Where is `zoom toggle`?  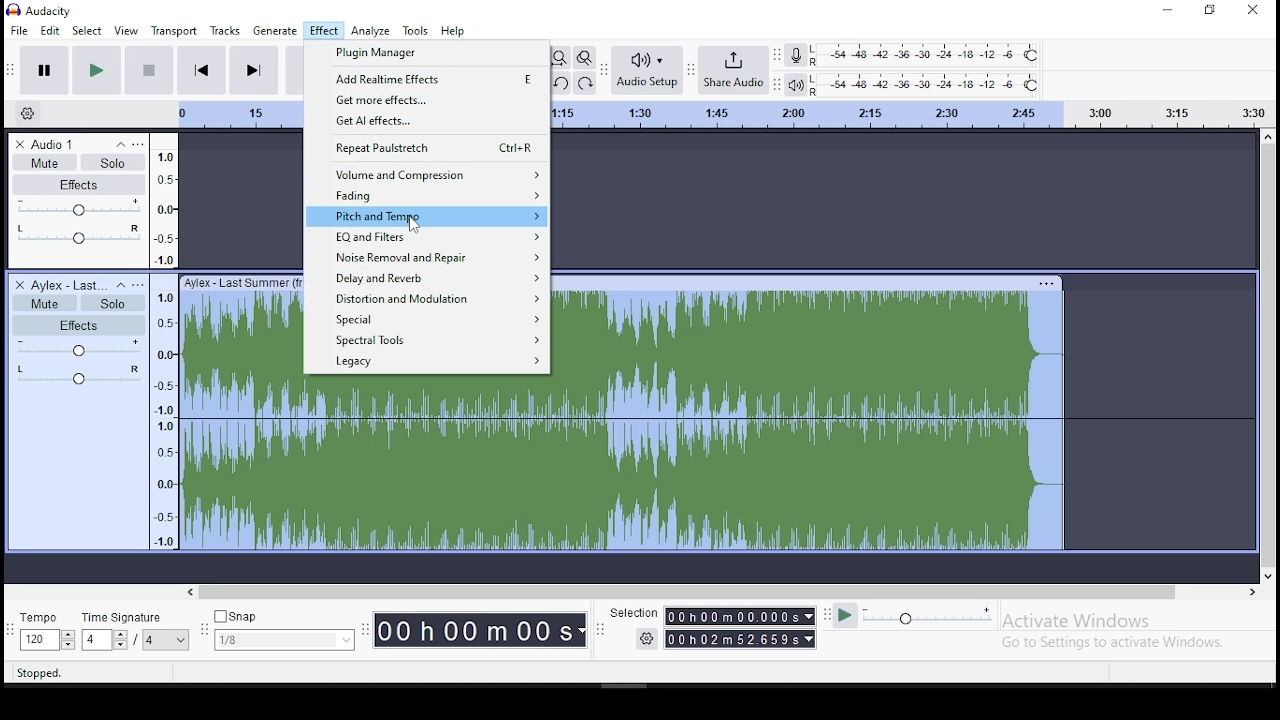 zoom toggle is located at coordinates (585, 58).